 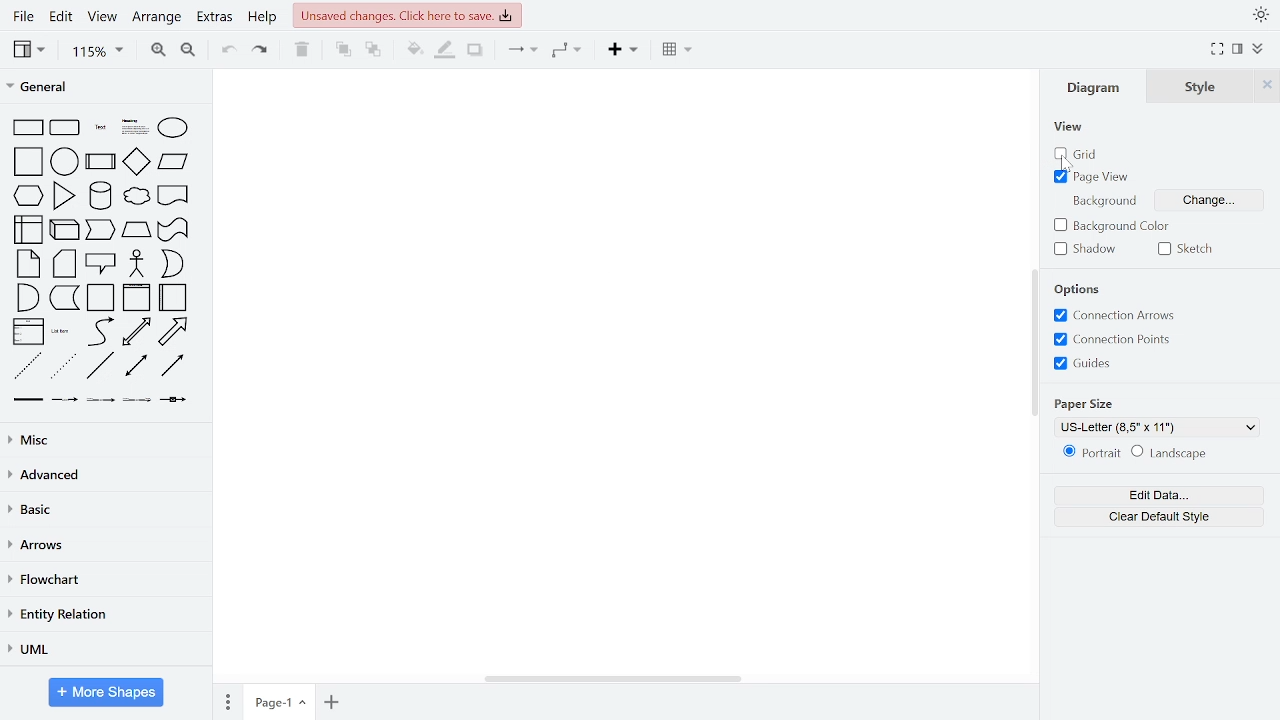 What do you see at coordinates (1237, 49) in the screenshot?
I see `format` at bounding box center [1237, 49].